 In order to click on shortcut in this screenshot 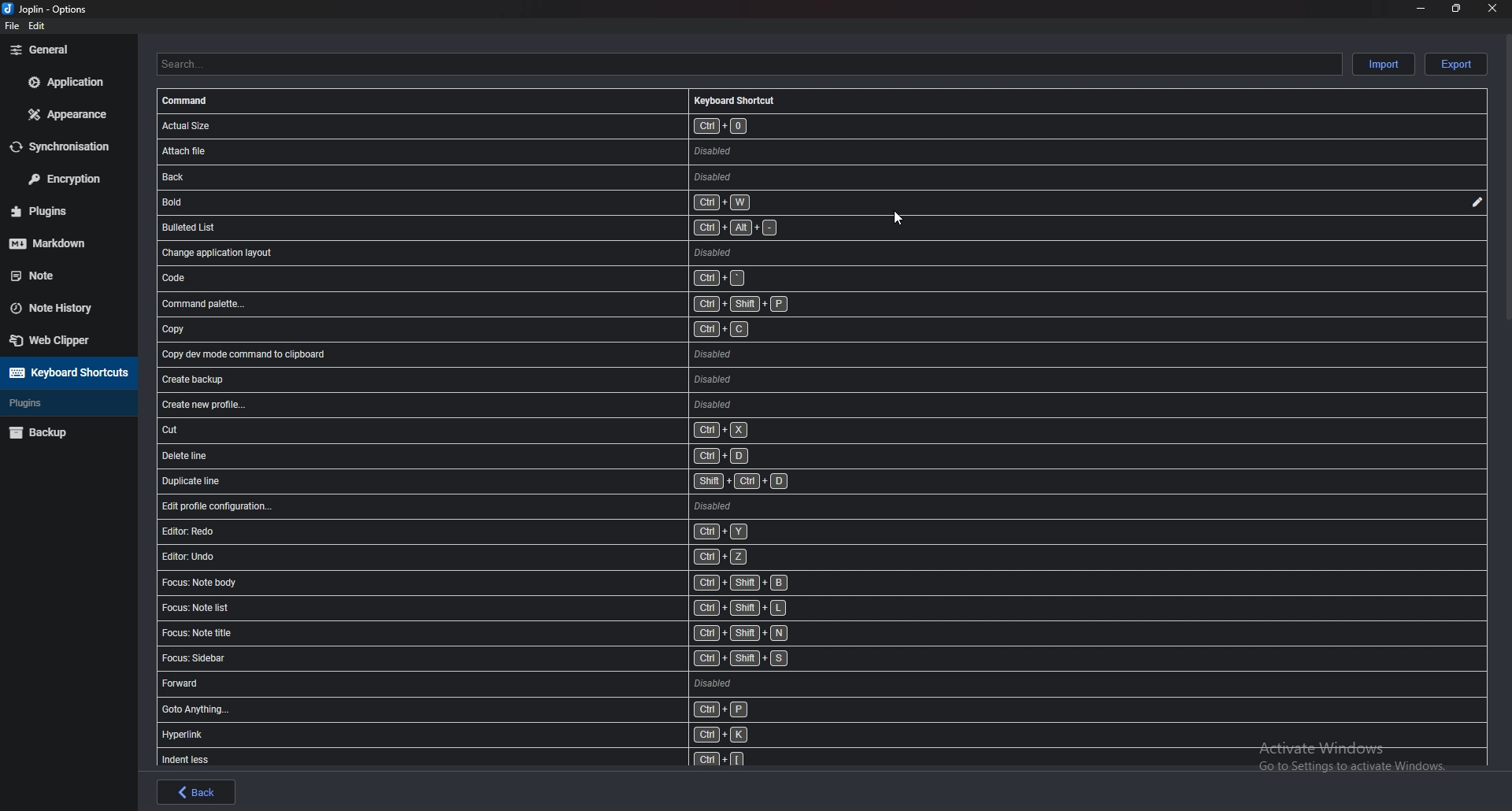, I will do `click(472, 153)`.